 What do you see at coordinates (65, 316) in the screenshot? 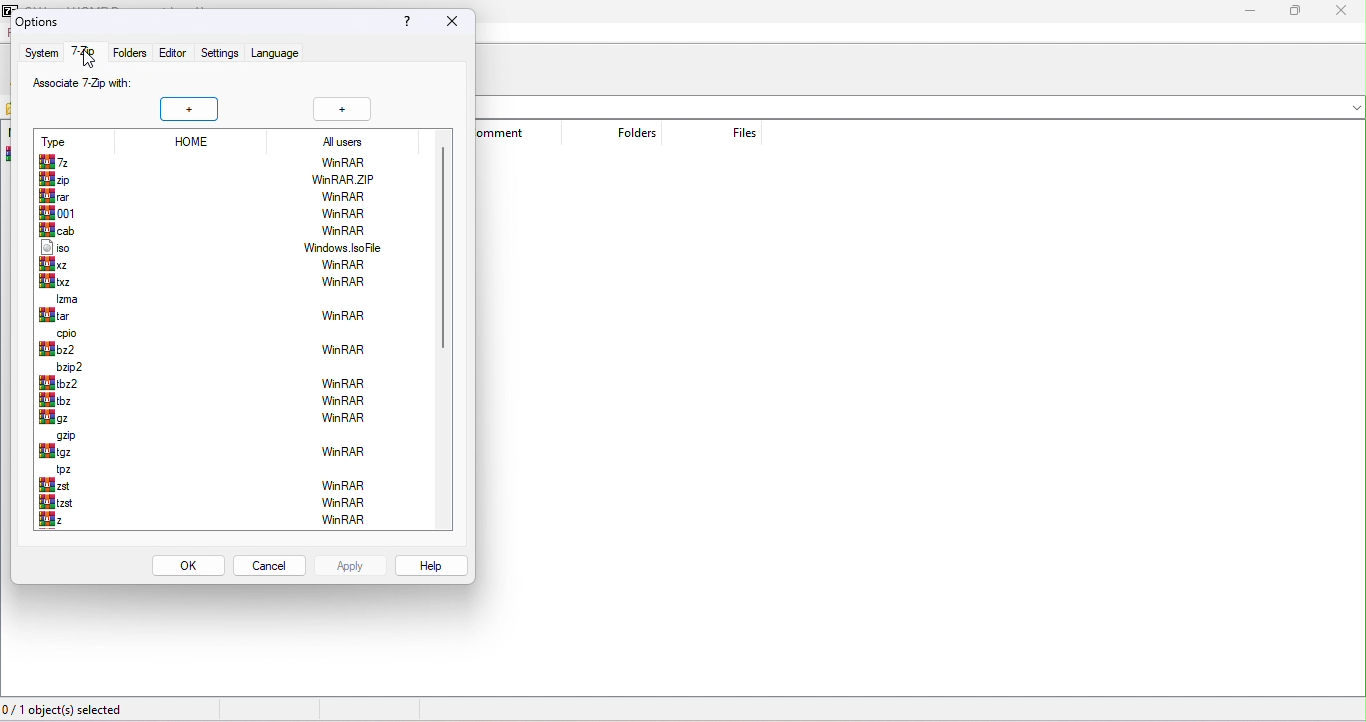
I see `lar` at bounding box center [65, 316].